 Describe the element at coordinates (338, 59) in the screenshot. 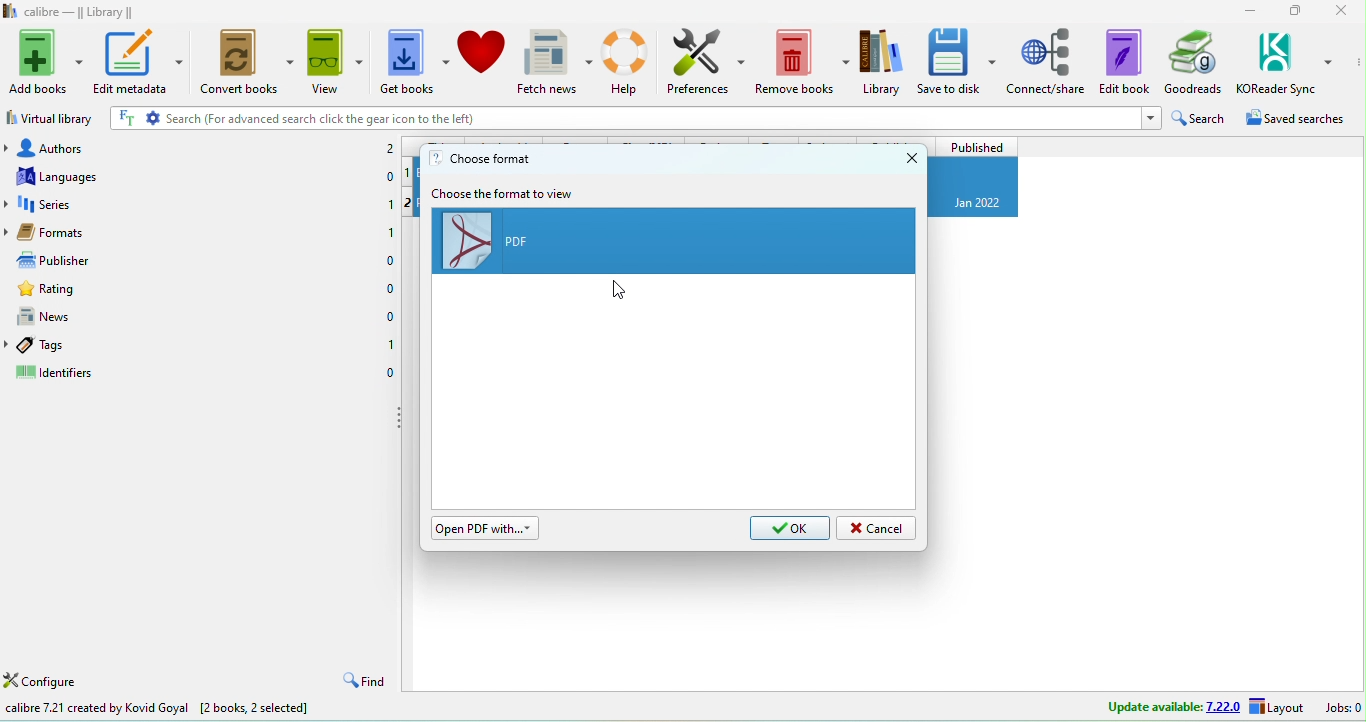

I see `View` at that location.